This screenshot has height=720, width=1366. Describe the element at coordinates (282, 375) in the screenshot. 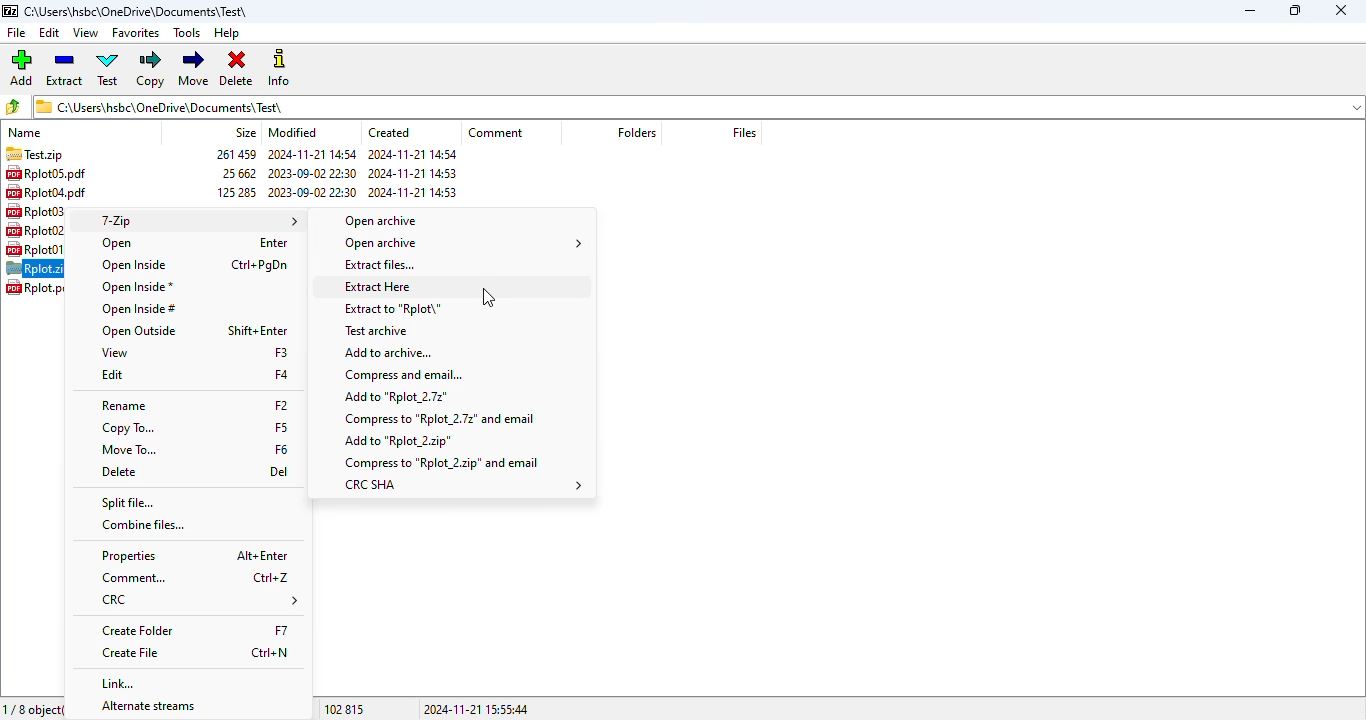

I see `shortcut for edit` at that location.